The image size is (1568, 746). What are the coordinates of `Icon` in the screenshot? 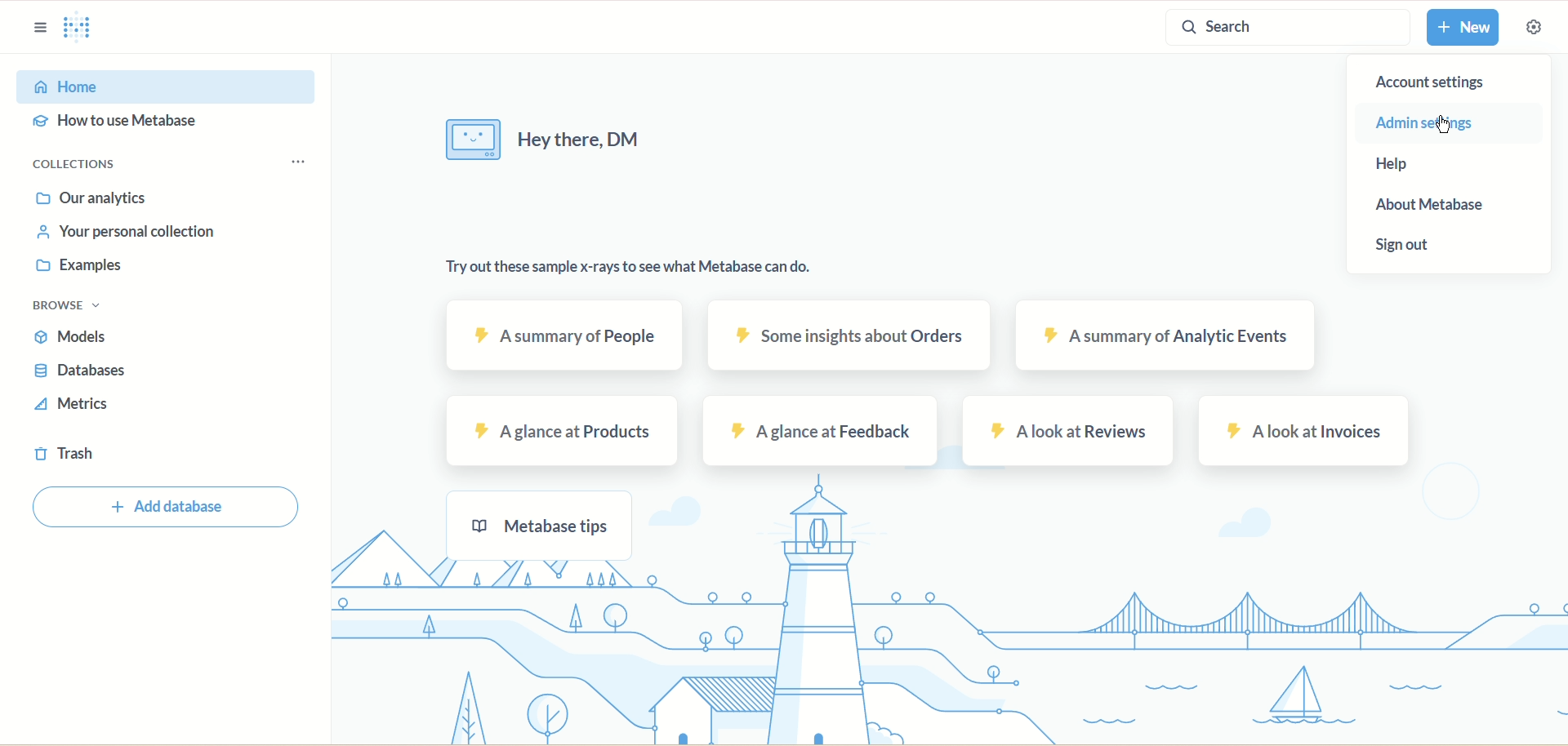 It's located at (468, 139).